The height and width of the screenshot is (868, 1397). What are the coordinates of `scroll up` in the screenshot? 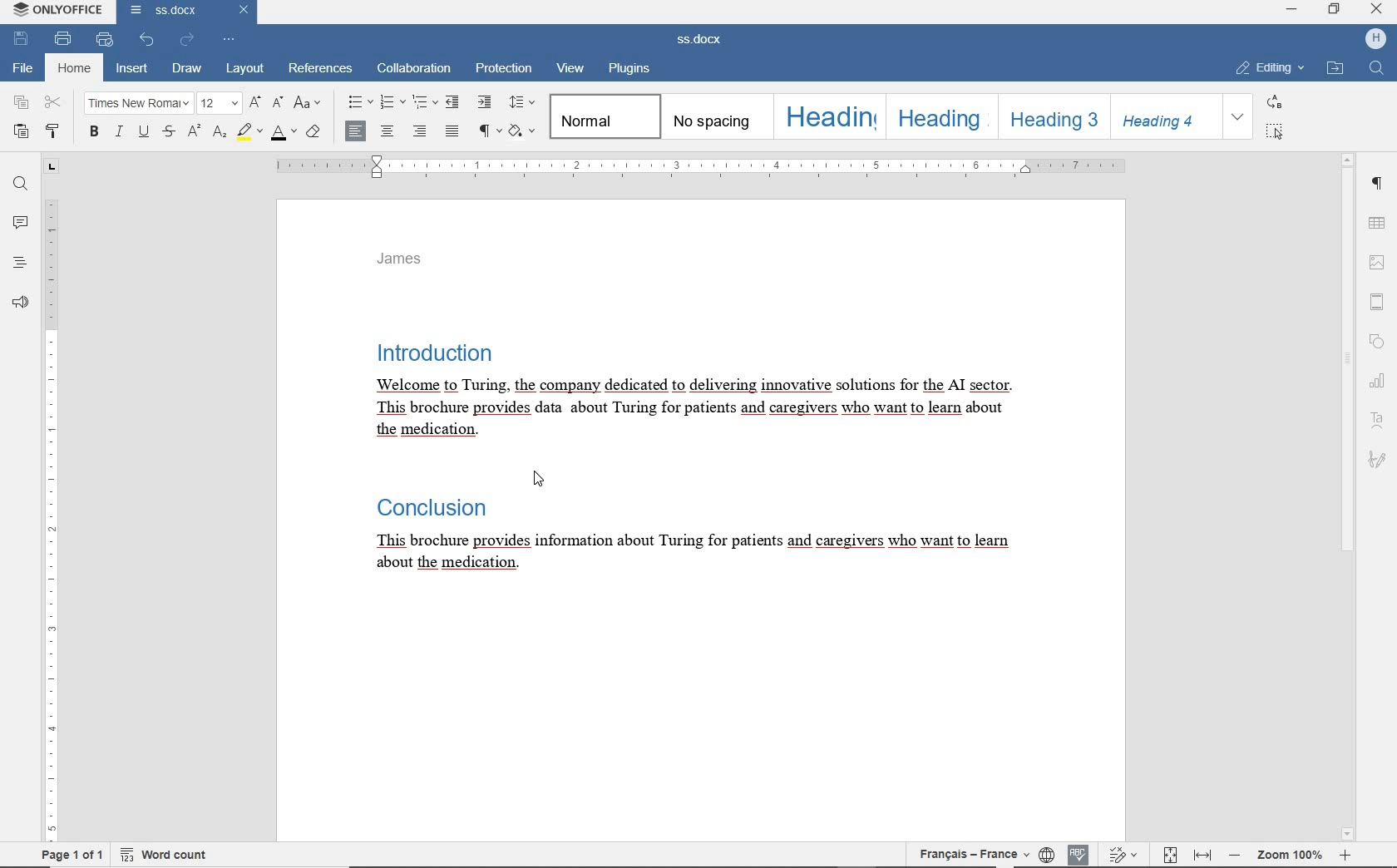 It's located at (1347, 159).